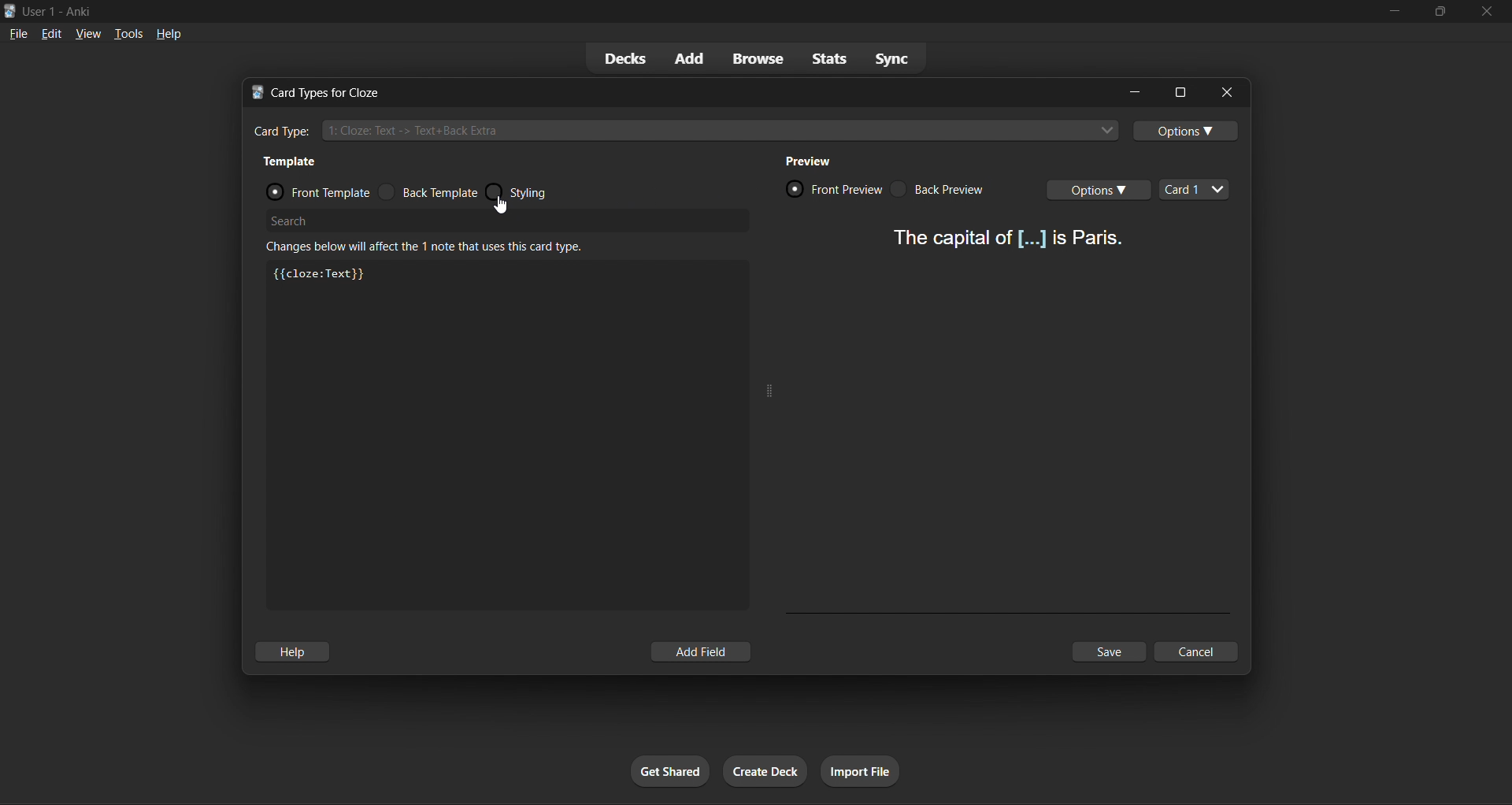  Describe the element at coordinates (673, 770) in the screenshot. I see `get shared` at that location.